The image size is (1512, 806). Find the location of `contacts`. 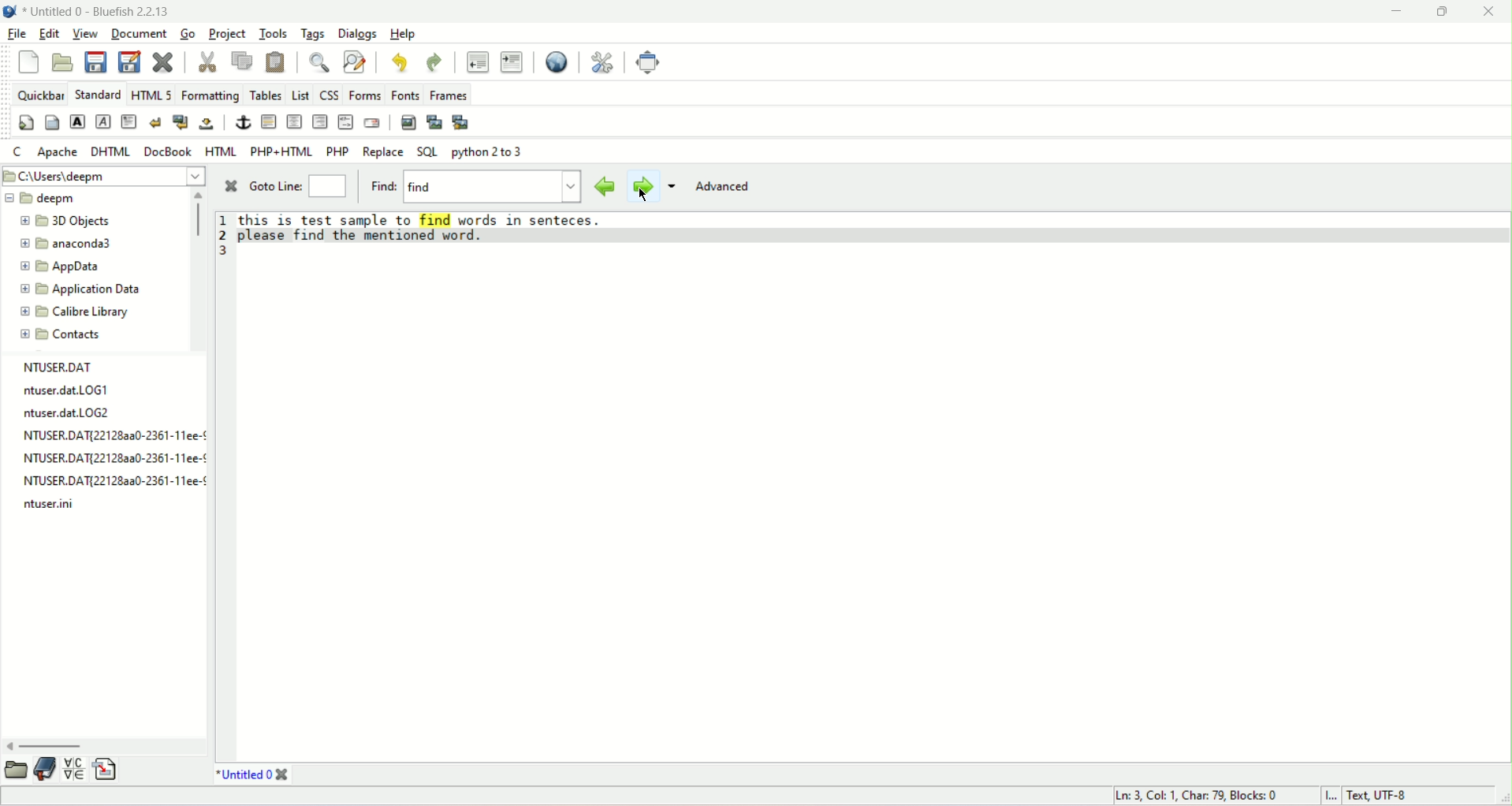

contacts is located at coordinates (59, 334).